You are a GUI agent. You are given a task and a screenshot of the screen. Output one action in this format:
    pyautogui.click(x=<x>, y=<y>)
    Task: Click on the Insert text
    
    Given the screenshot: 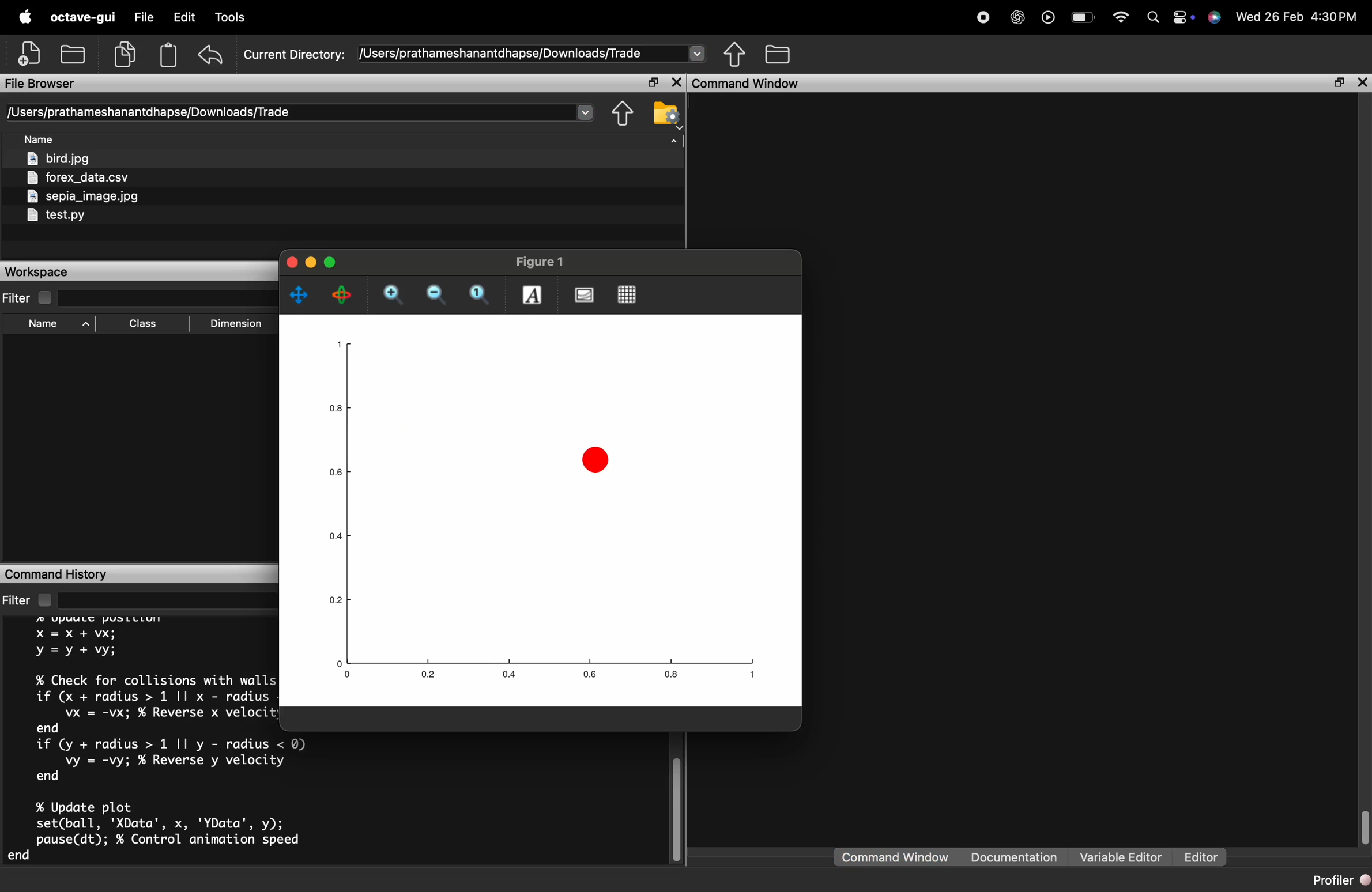 What is the action you would take?
    pyautogui.click(x=533, y=294)
    